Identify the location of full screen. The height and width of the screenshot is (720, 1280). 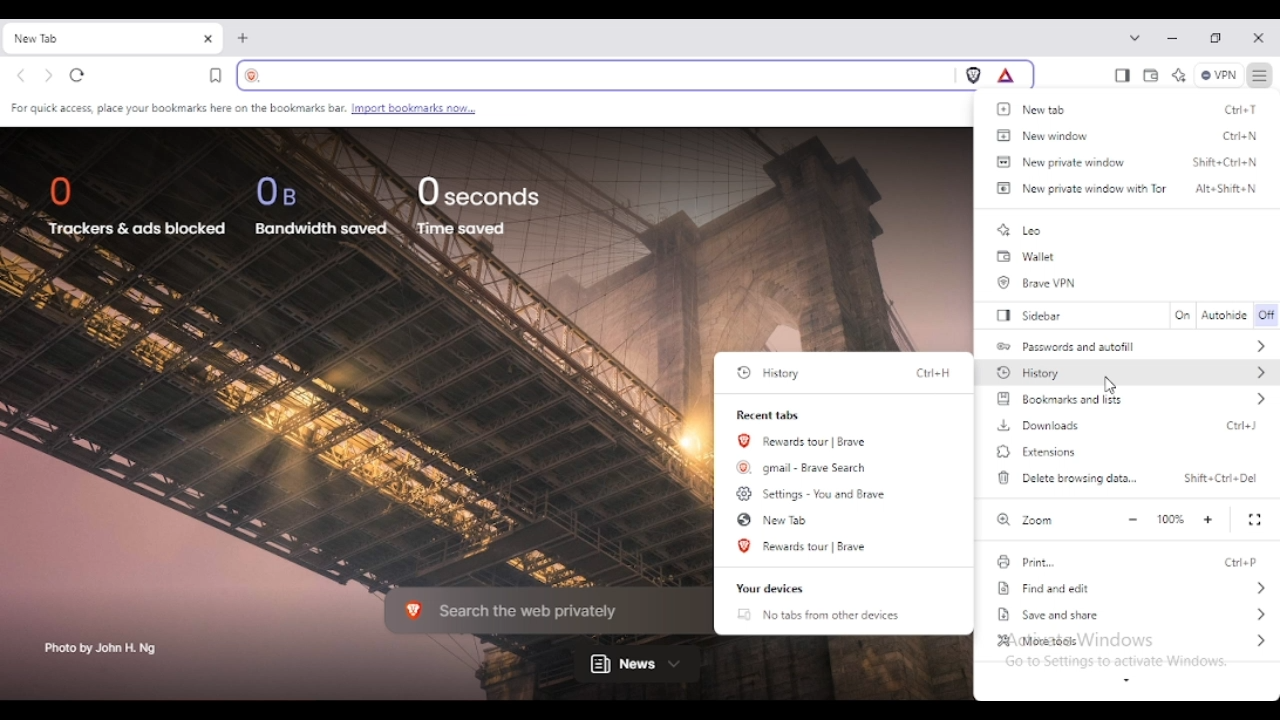
(1256, 520).